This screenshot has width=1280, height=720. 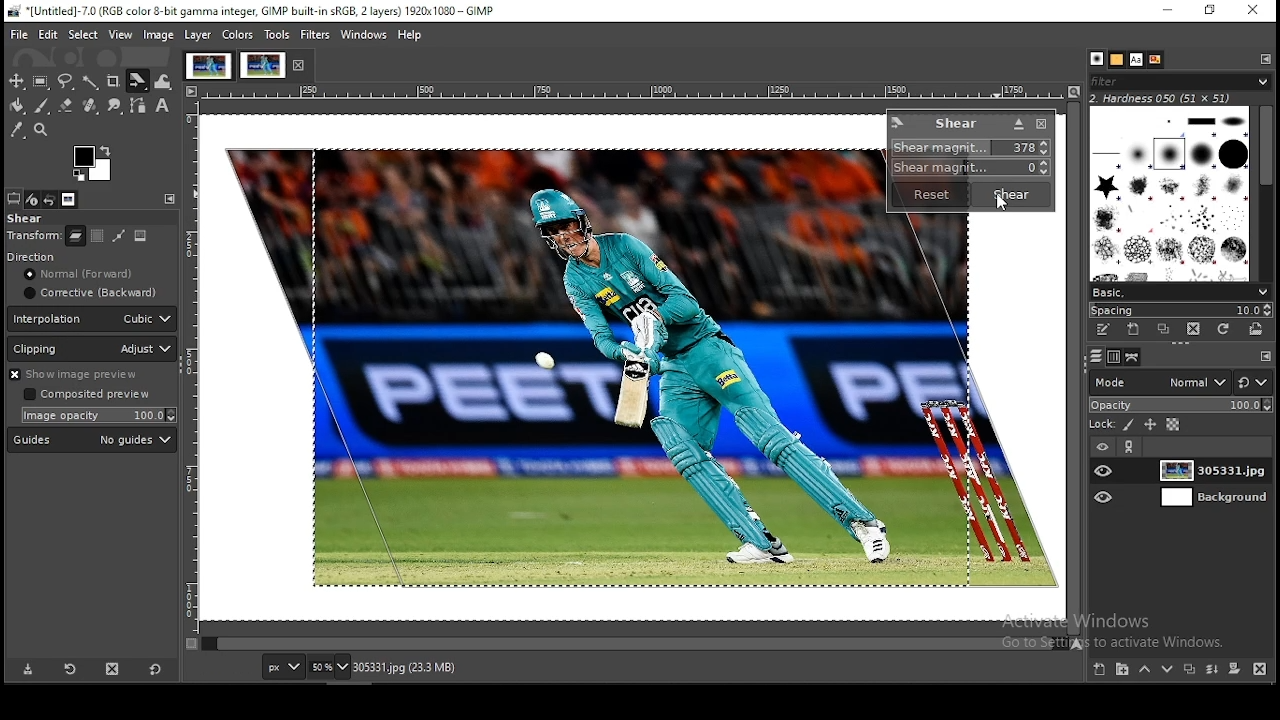 What do you see at coordinates (930, 195) in the screenshot?
I see `reset` at bounding box center [930, 195].